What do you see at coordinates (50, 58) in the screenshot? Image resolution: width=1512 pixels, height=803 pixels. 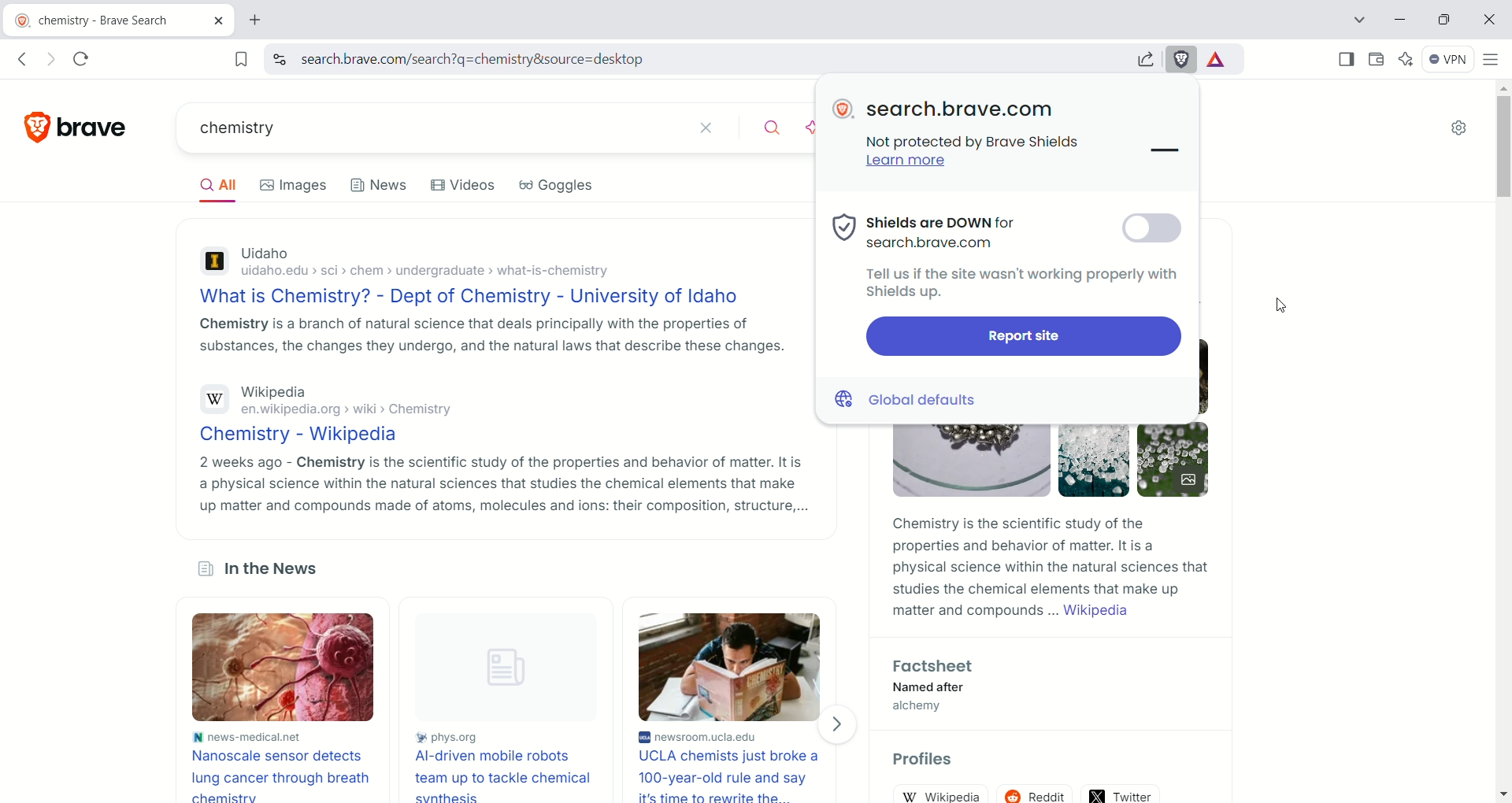 I see `click to go forward, hold to see history` at bounding box center [50, 58].